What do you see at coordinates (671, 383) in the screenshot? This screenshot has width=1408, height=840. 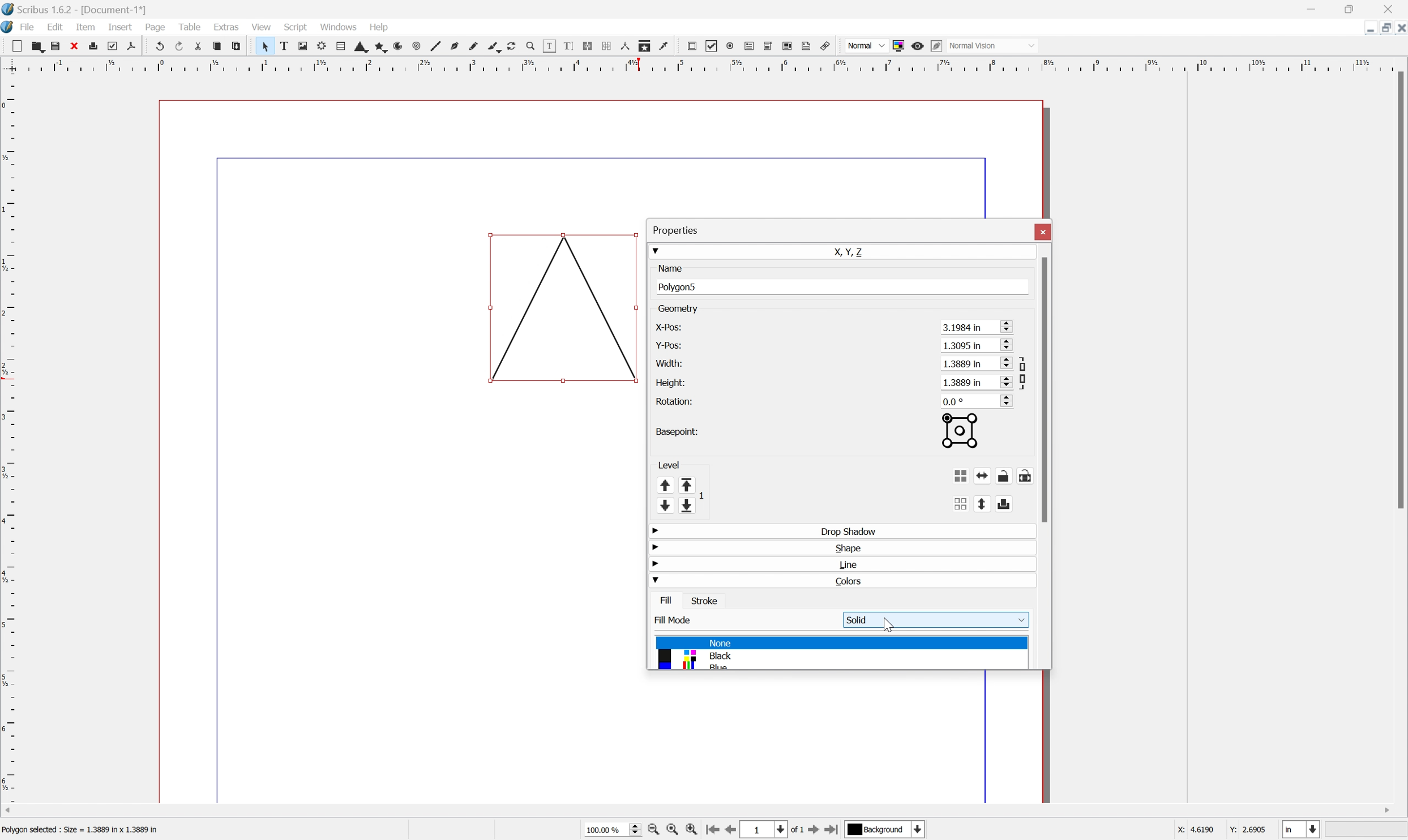 I see `Height:` at bounding box center [671, 383].